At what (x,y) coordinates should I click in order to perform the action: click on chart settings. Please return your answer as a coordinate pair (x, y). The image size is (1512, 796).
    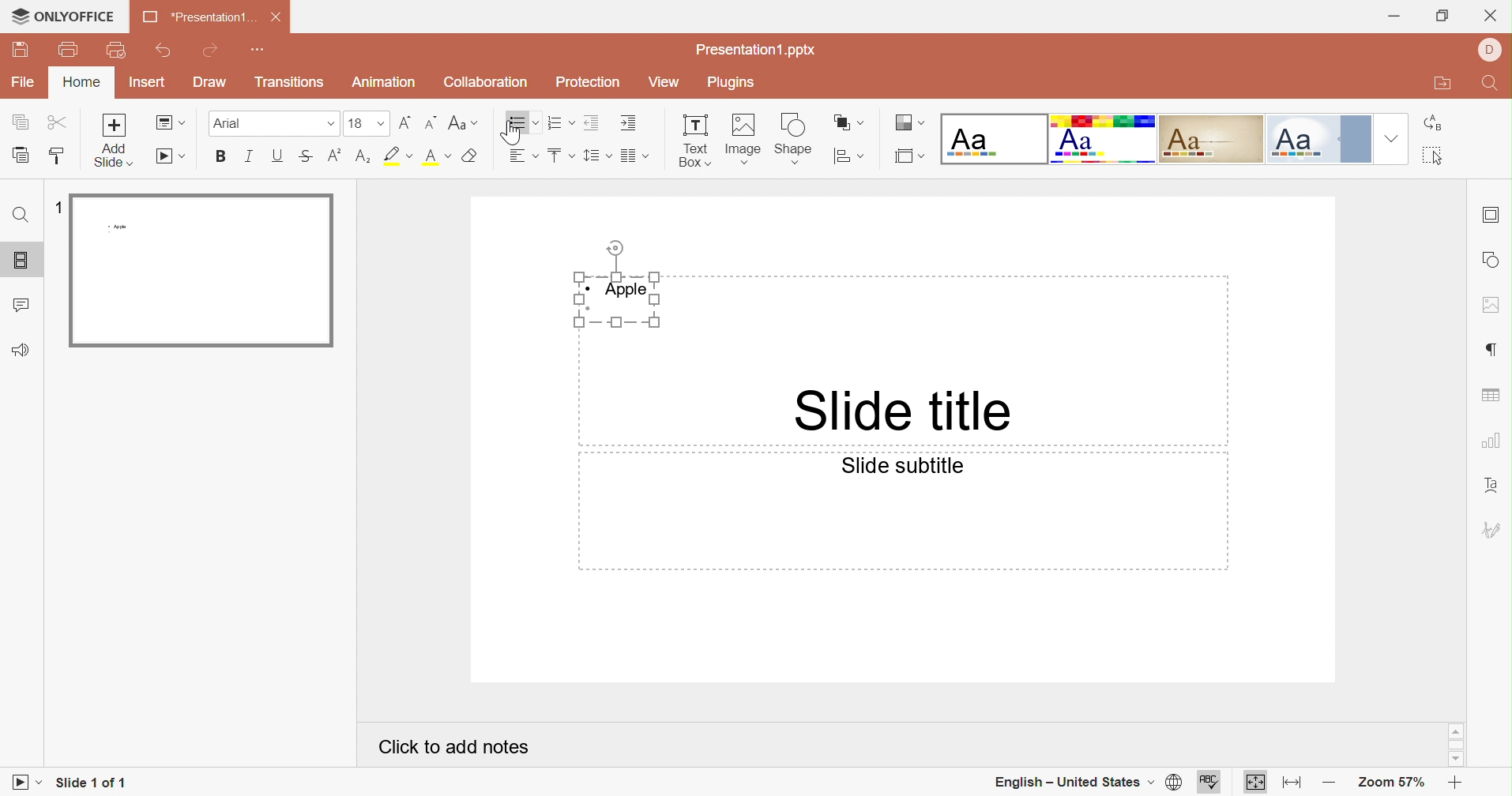
    Looking at the image, I should click on (1491, 445).